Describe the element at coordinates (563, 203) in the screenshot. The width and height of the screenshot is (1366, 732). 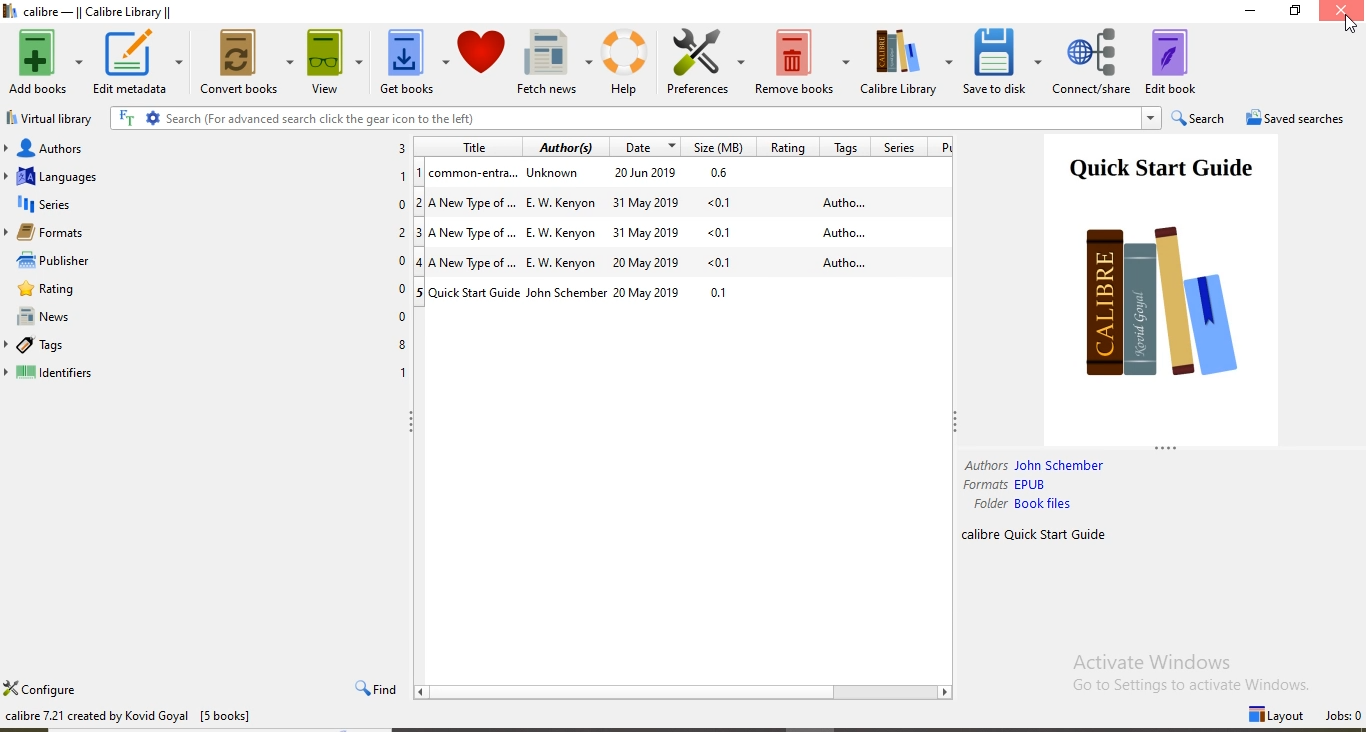
I see `E W Kenyon` at that location.